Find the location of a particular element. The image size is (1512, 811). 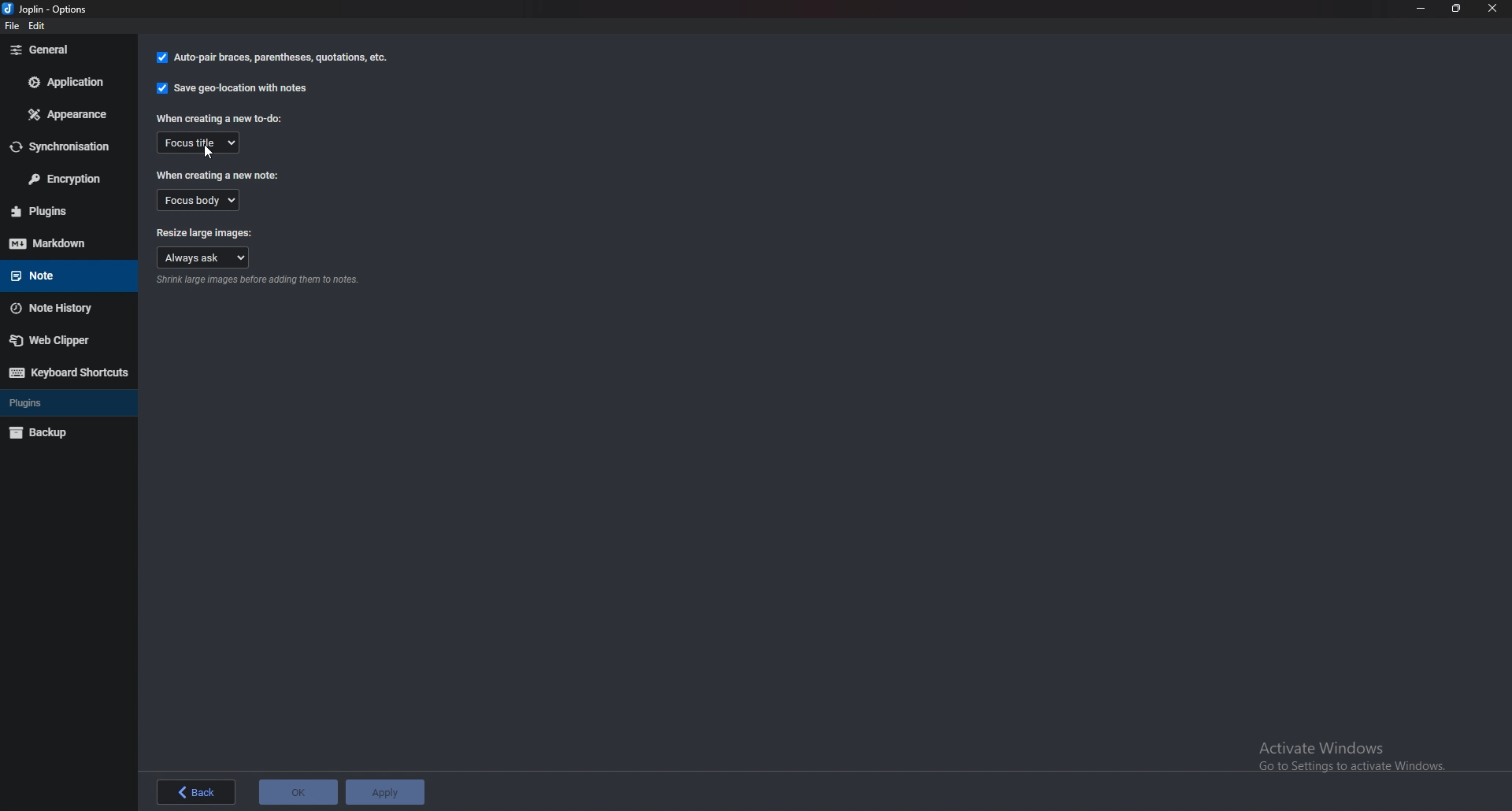

Focus body is located at coordinates (205, 200).